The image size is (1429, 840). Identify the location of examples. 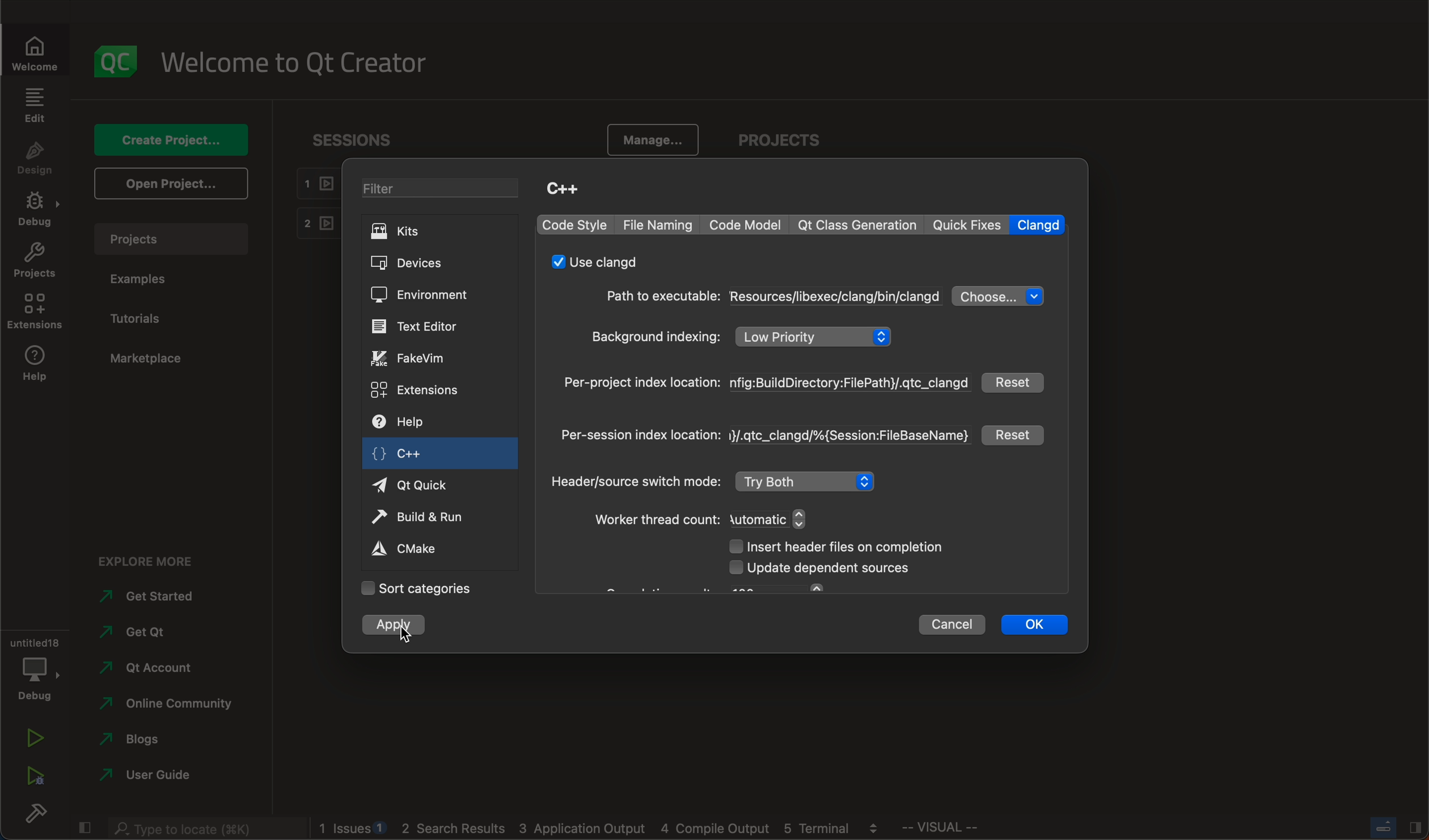
(158, 276).